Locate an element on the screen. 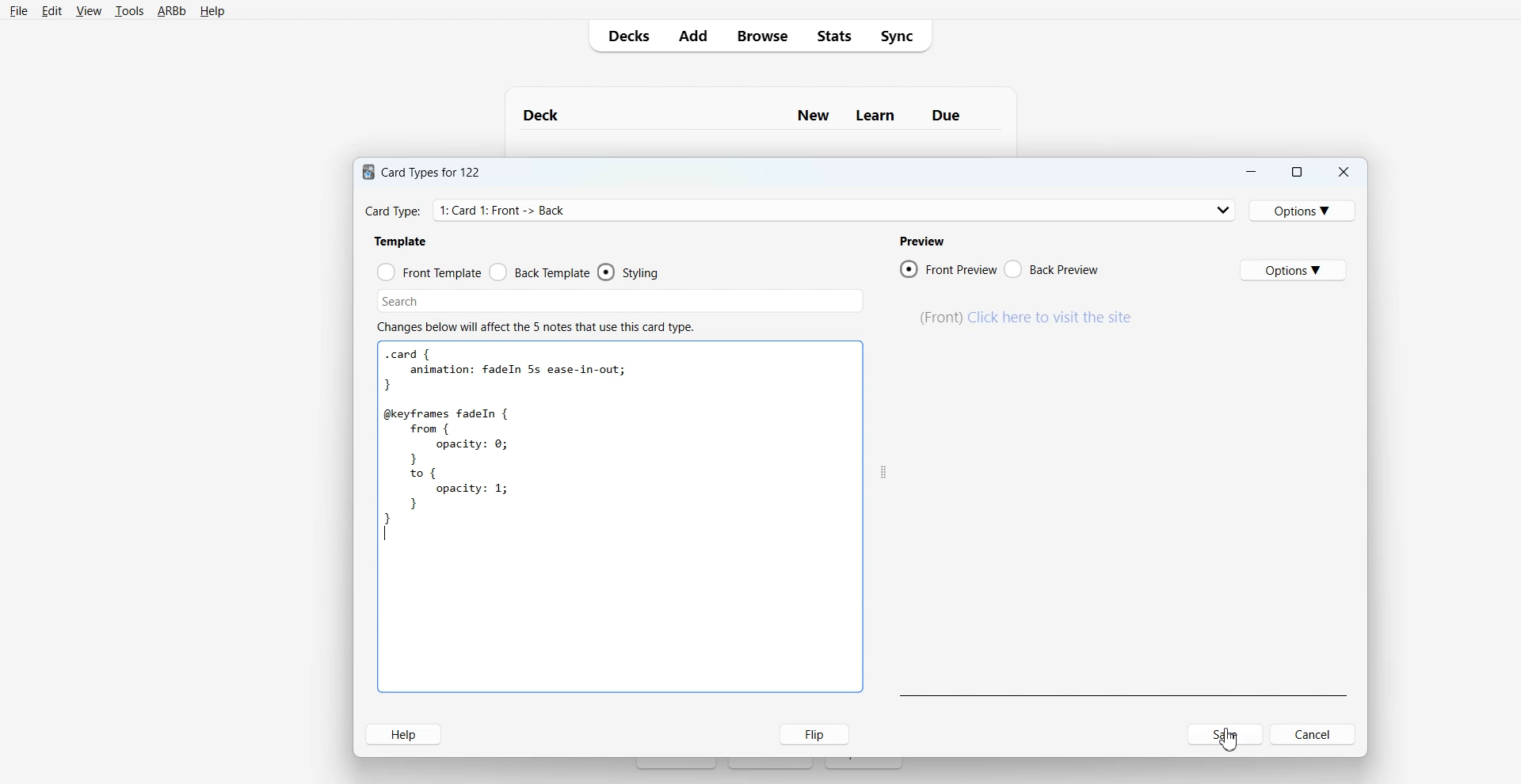 Image resolution: width=1521 pixels, height=784 pixels. Options is located at coordinates (1294, 270).